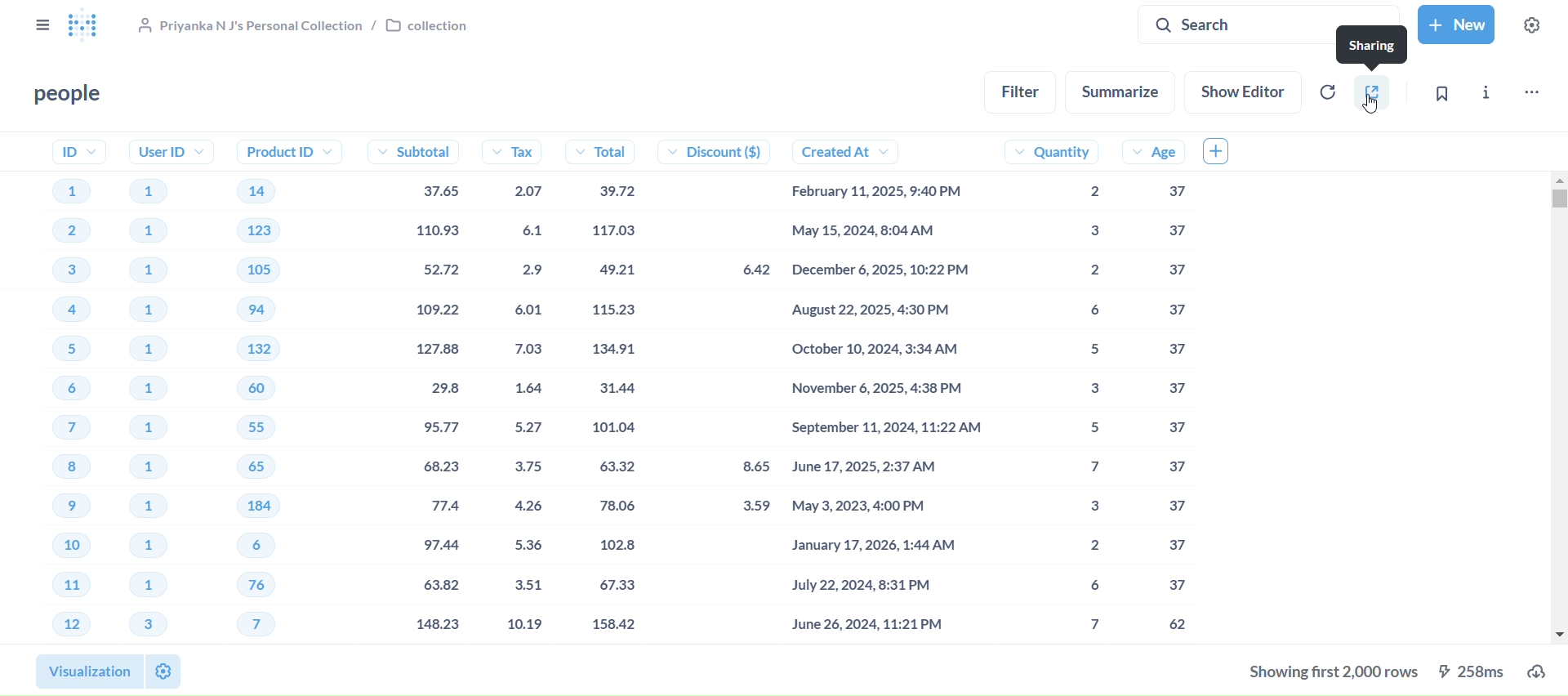 This screenshot has height=696, width=1568. What do you see at coordinates (1054, 389) in the screenshot?
I see `quantity` at bounding box center [1054, 389].